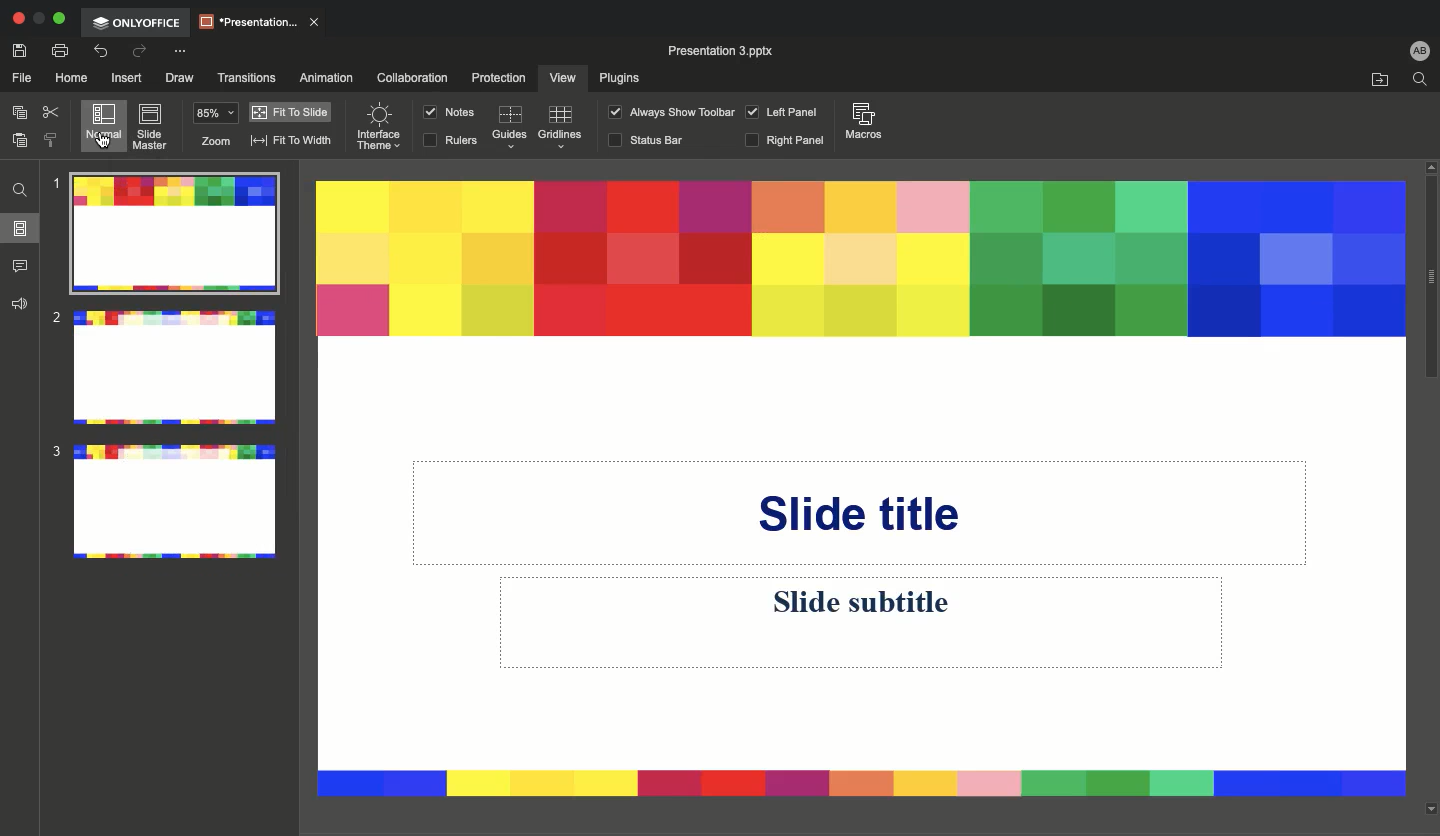  Describe the element at coordinates (18, 20) in the screenshot. I see `Close` at that location.